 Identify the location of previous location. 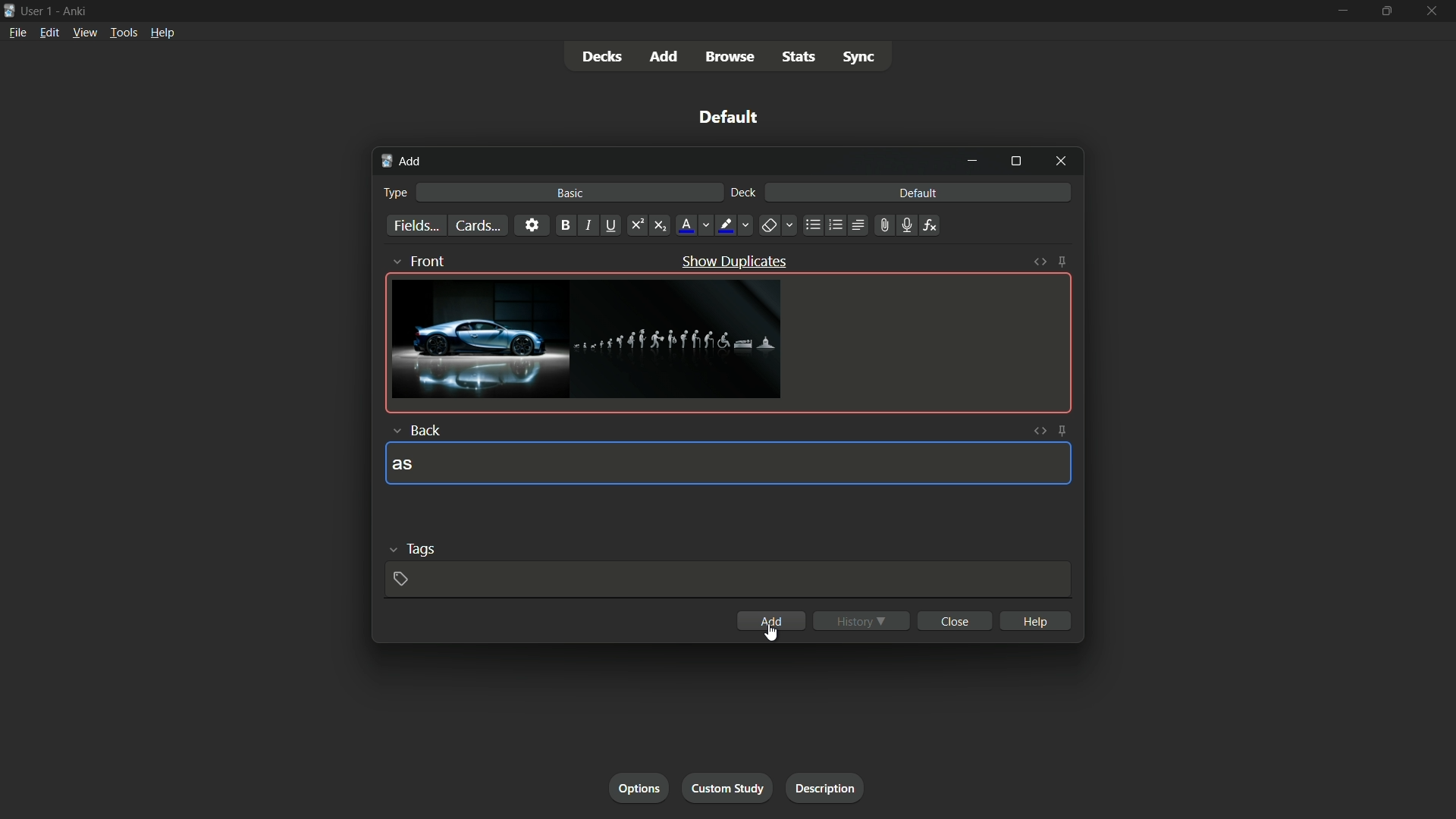
(835, 224).